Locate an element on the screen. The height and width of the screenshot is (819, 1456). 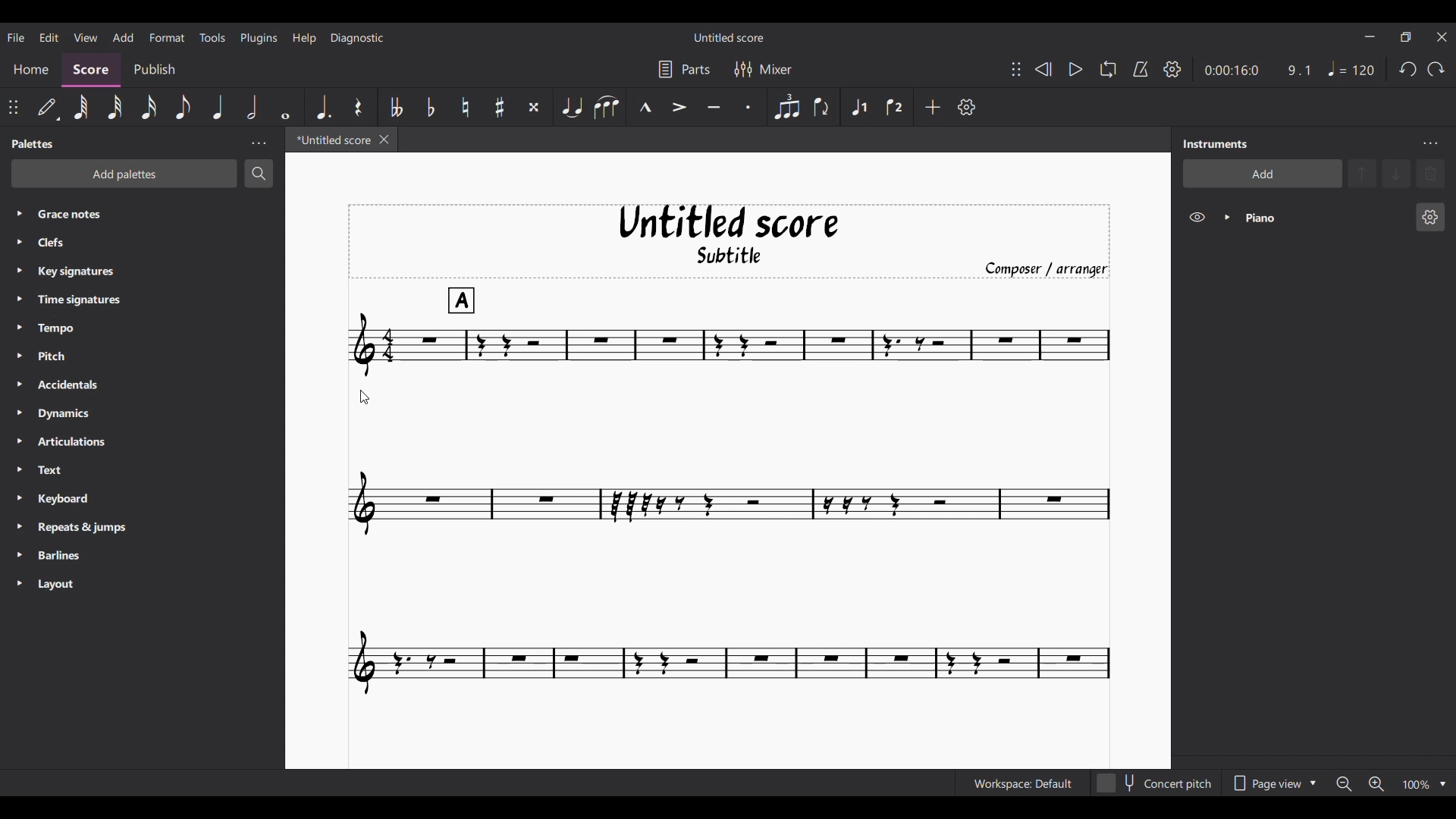
Mixer settings is located at coordinates (763, 69).